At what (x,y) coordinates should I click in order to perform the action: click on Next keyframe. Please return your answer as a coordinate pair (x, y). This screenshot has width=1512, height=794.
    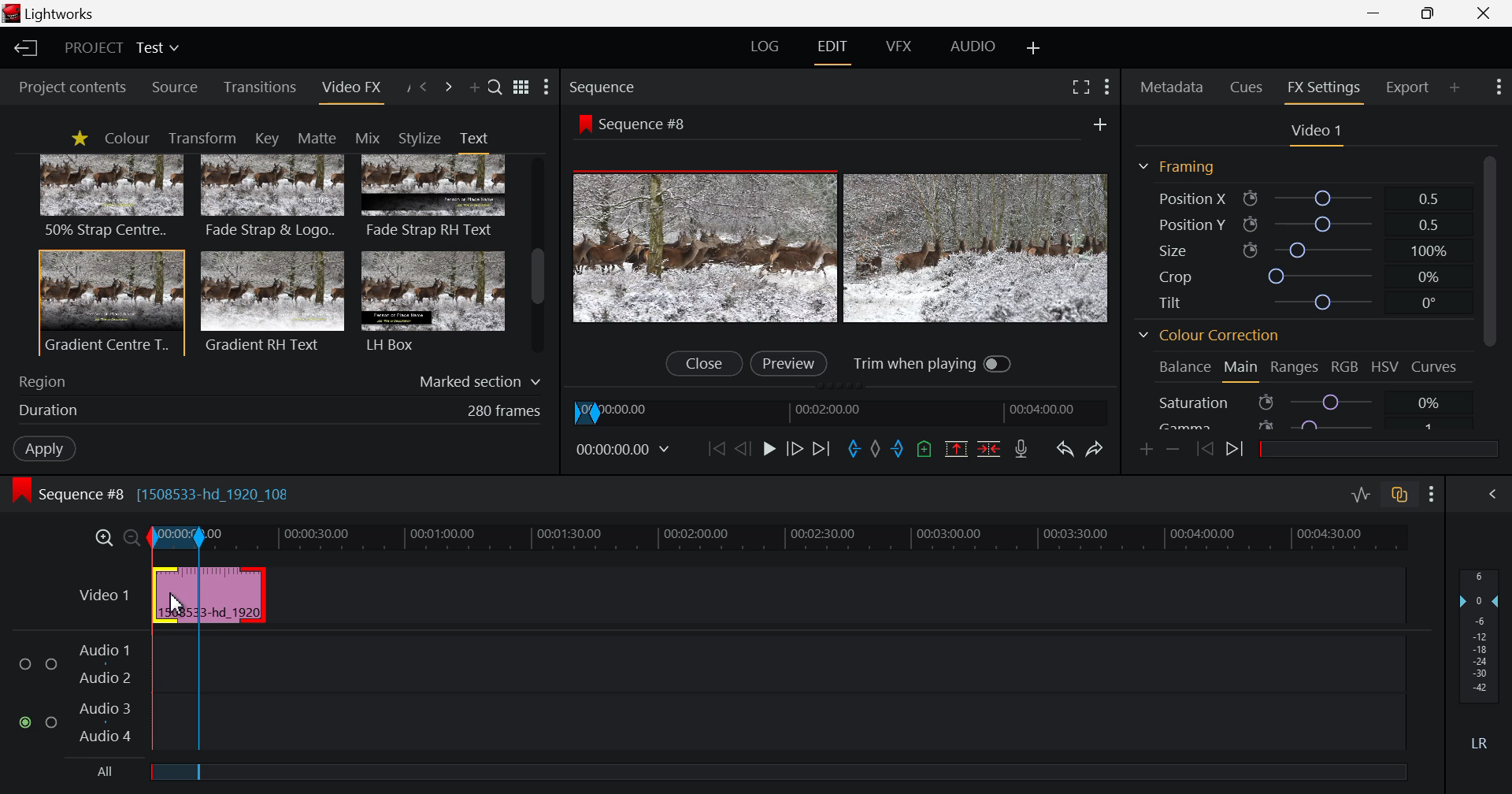
    Looking at the image, I should click on (1237, 450).